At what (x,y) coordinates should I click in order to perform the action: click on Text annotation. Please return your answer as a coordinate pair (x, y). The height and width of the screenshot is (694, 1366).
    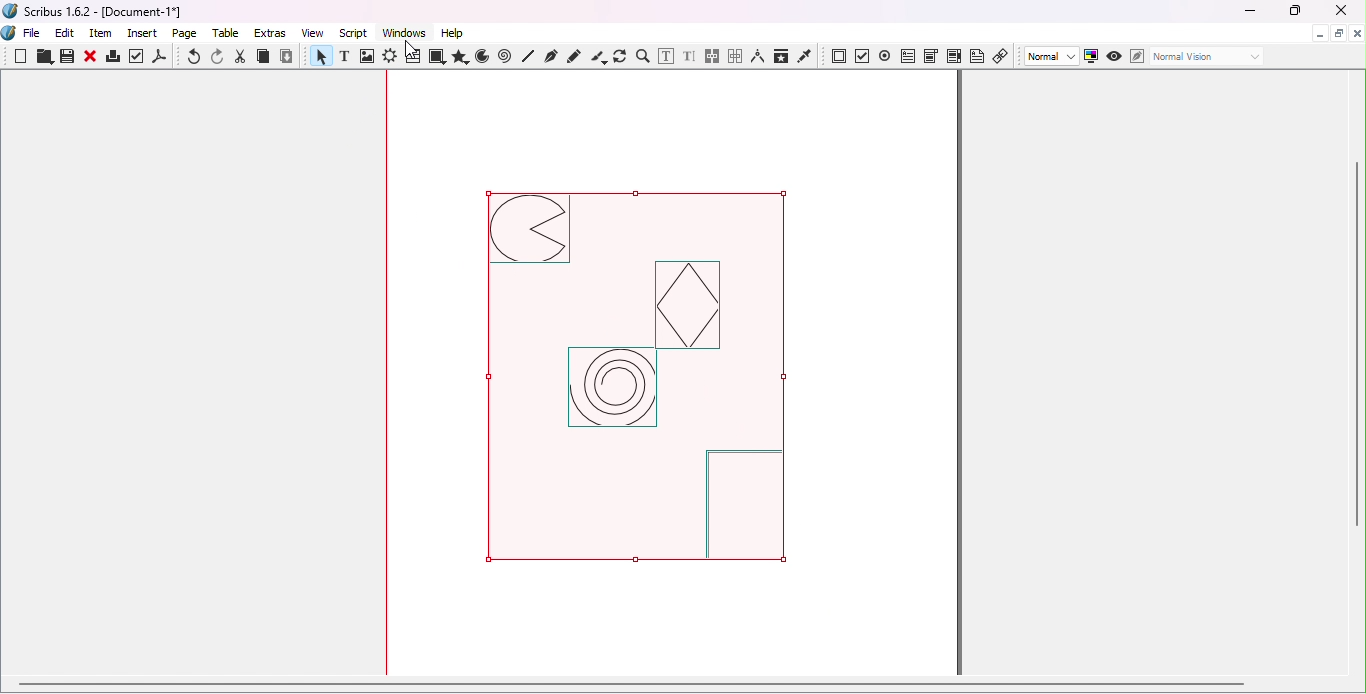
    Looking at the image, I should click on (977, 55).